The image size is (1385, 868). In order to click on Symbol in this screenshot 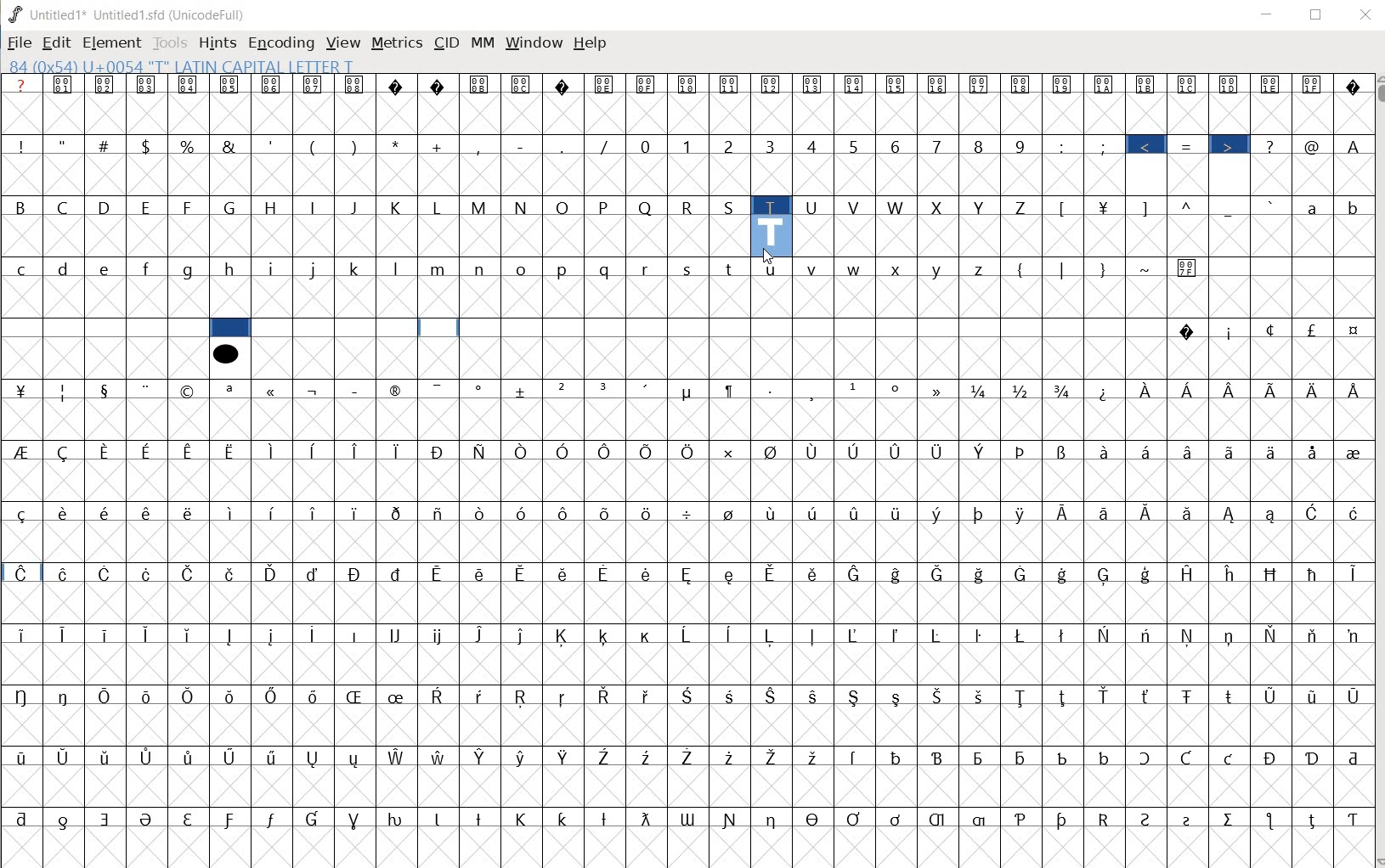, I will do `click(399, 634)`.